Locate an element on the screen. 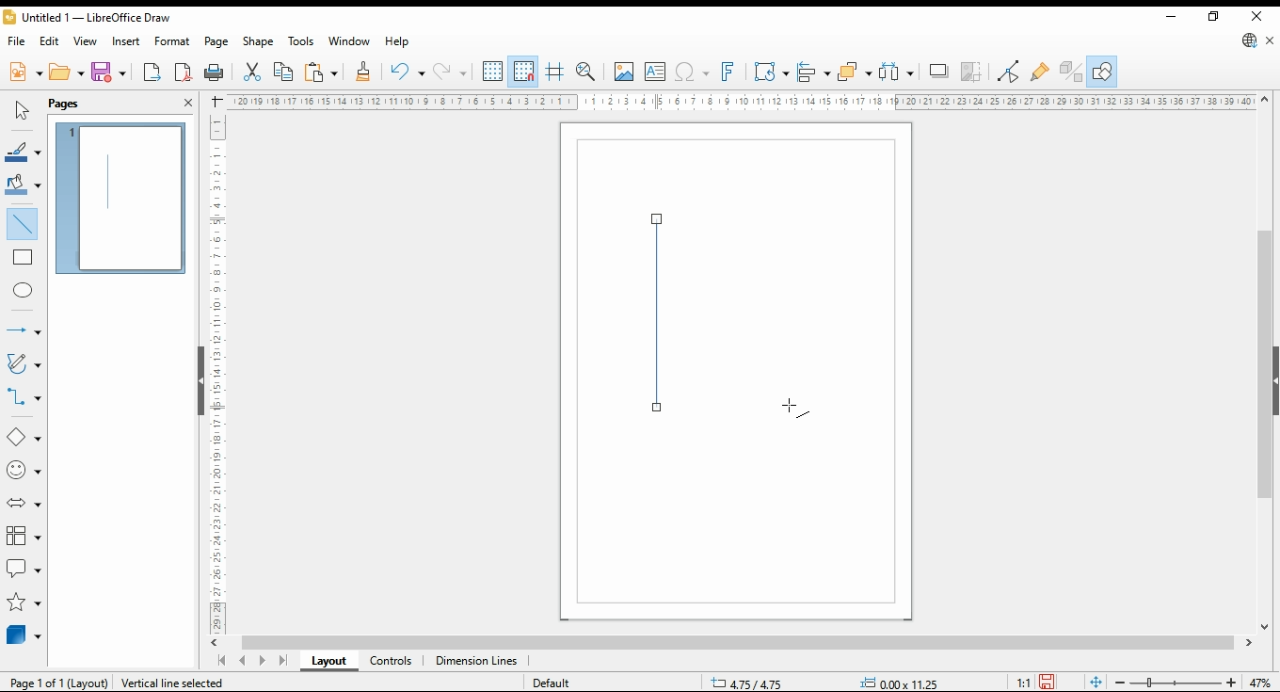 Image resolution: width=1280 pixels, height=692 pixels. move left is located at coordinates (217, 643).